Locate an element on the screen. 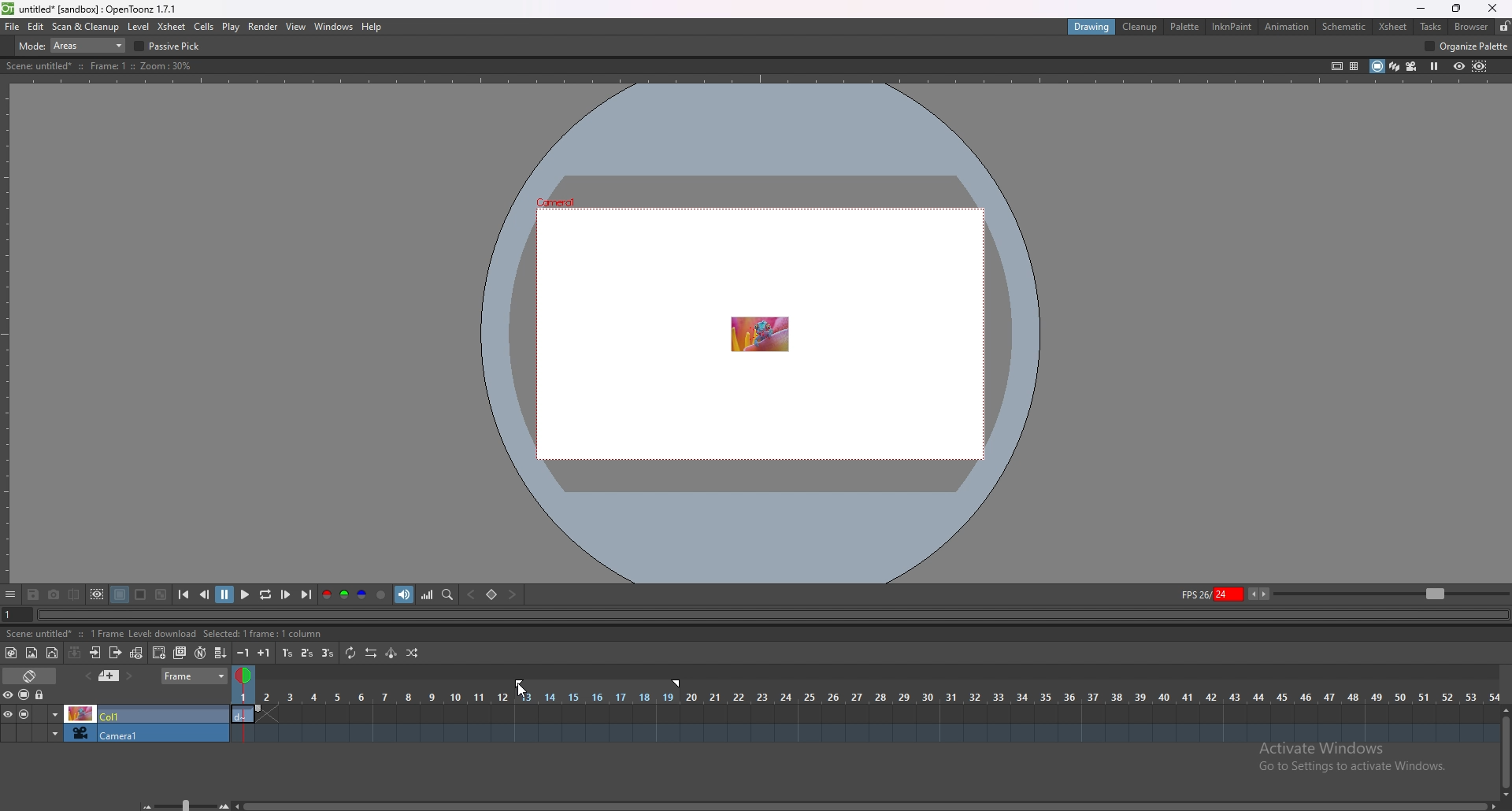 The width and height of the screenshot is (1512, 811). next memo is located at coordinates (129, 676).